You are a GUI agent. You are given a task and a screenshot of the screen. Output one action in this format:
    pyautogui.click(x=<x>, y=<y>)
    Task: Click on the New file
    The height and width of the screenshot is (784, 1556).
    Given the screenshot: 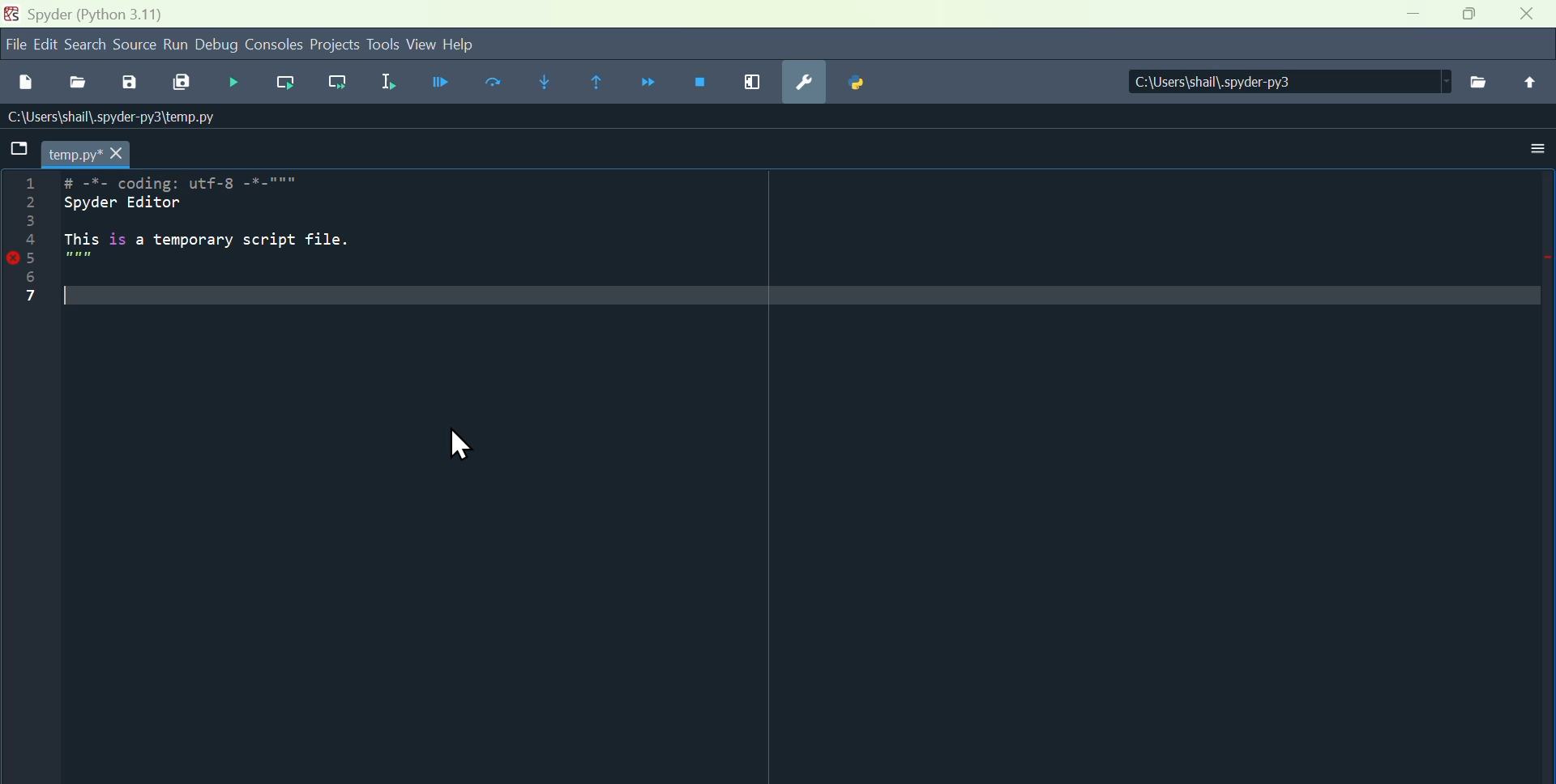 What is the action you would take?
    pyautogui.click(x=20, y=82)
    